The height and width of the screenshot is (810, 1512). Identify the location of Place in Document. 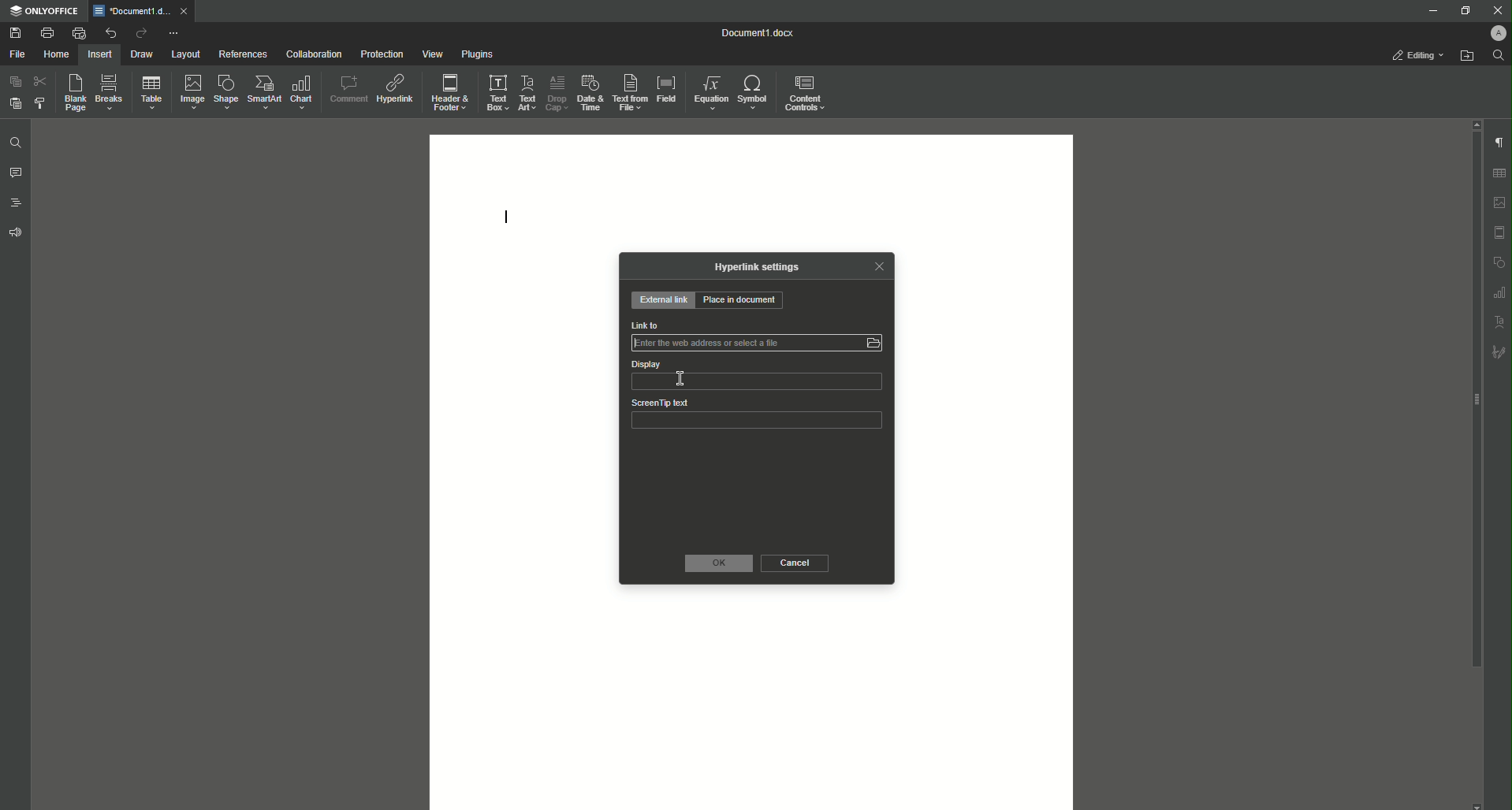
(746, 301).